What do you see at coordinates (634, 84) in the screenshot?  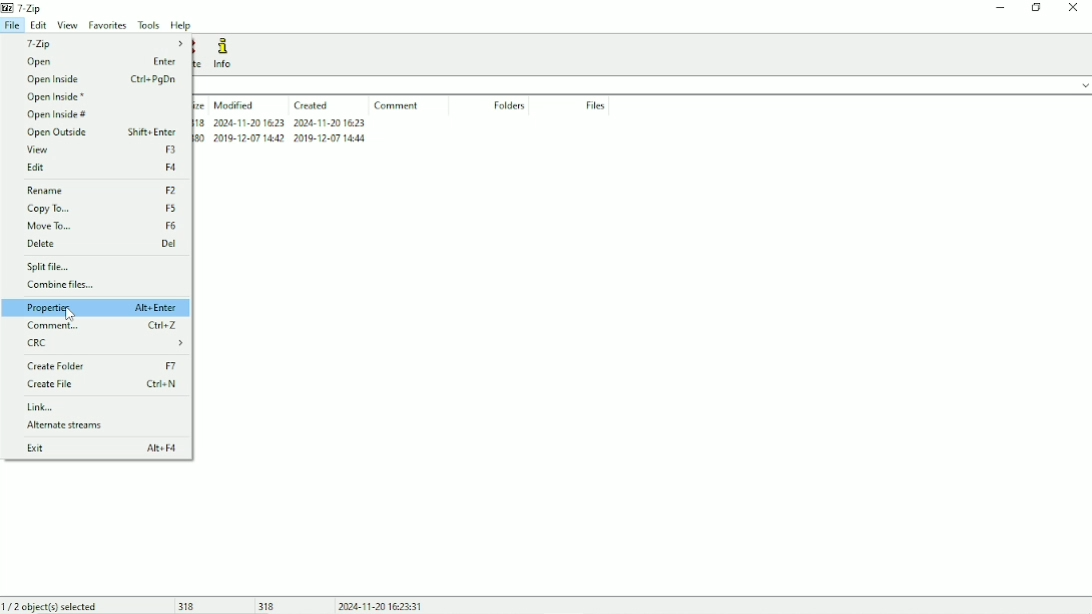 I see `File location` at bounding box center [634, 84].